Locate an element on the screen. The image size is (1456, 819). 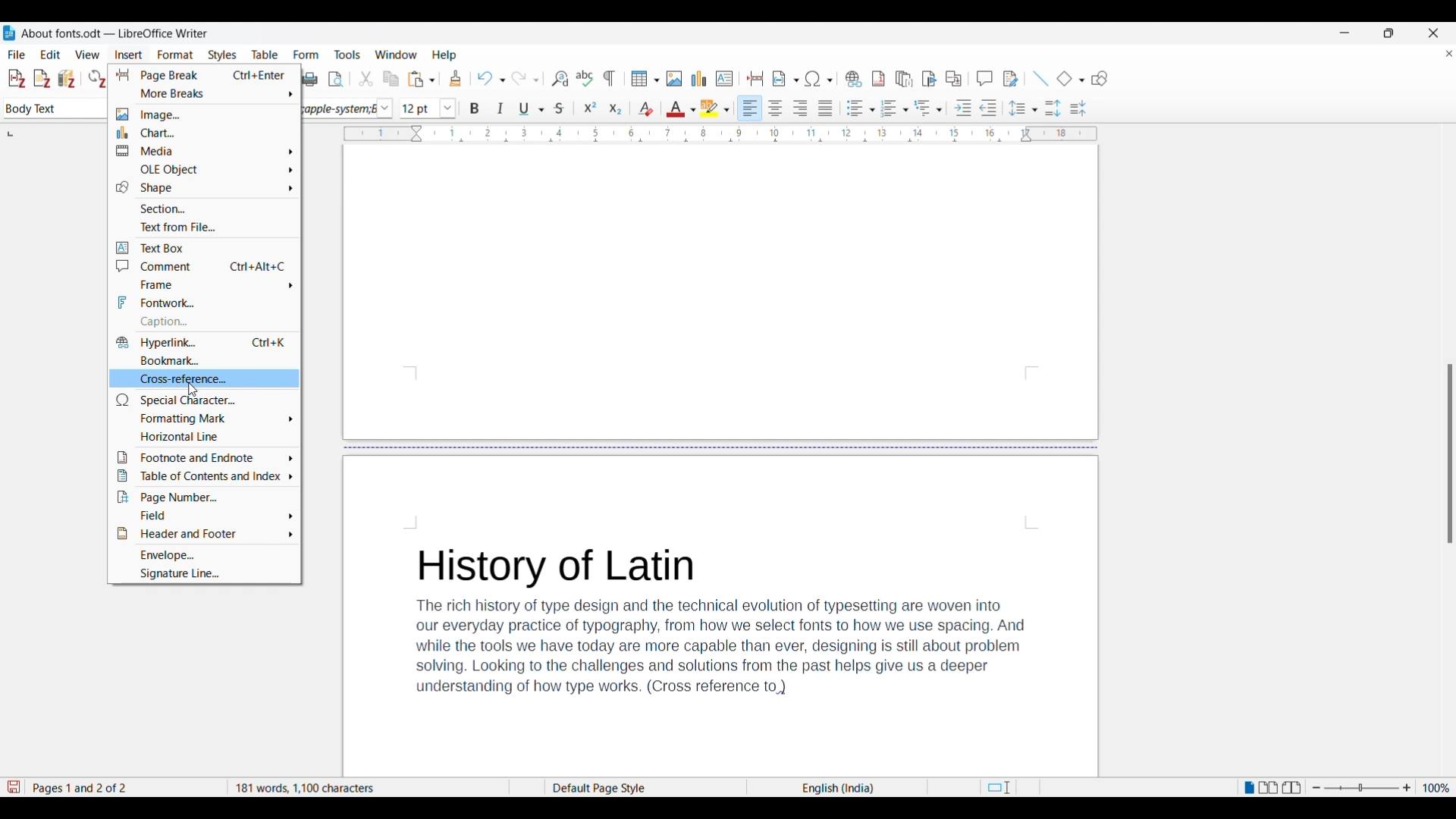
Current zoom factor is located at coordinates (1436, 788).